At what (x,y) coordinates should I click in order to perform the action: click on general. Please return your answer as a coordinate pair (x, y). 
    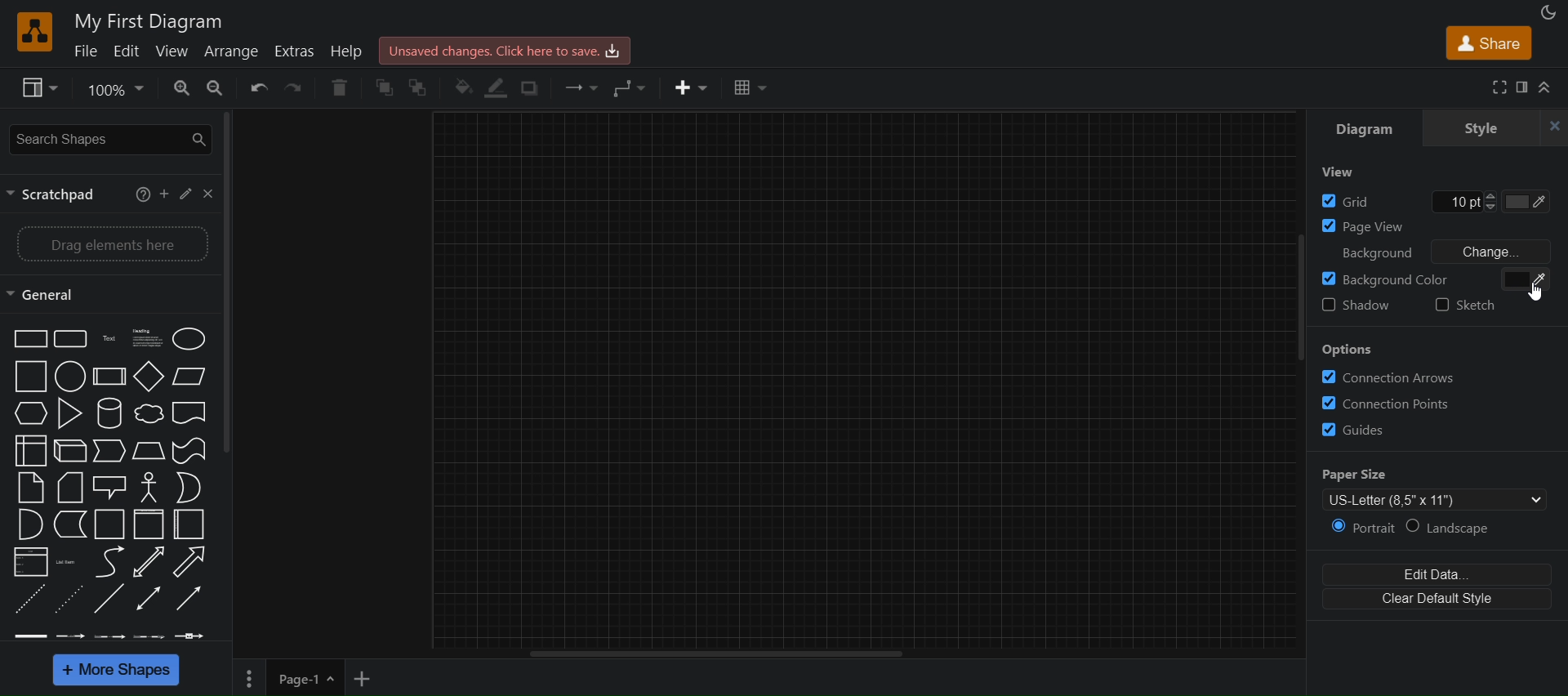
    Looking at the image, I should click on (47, 294).